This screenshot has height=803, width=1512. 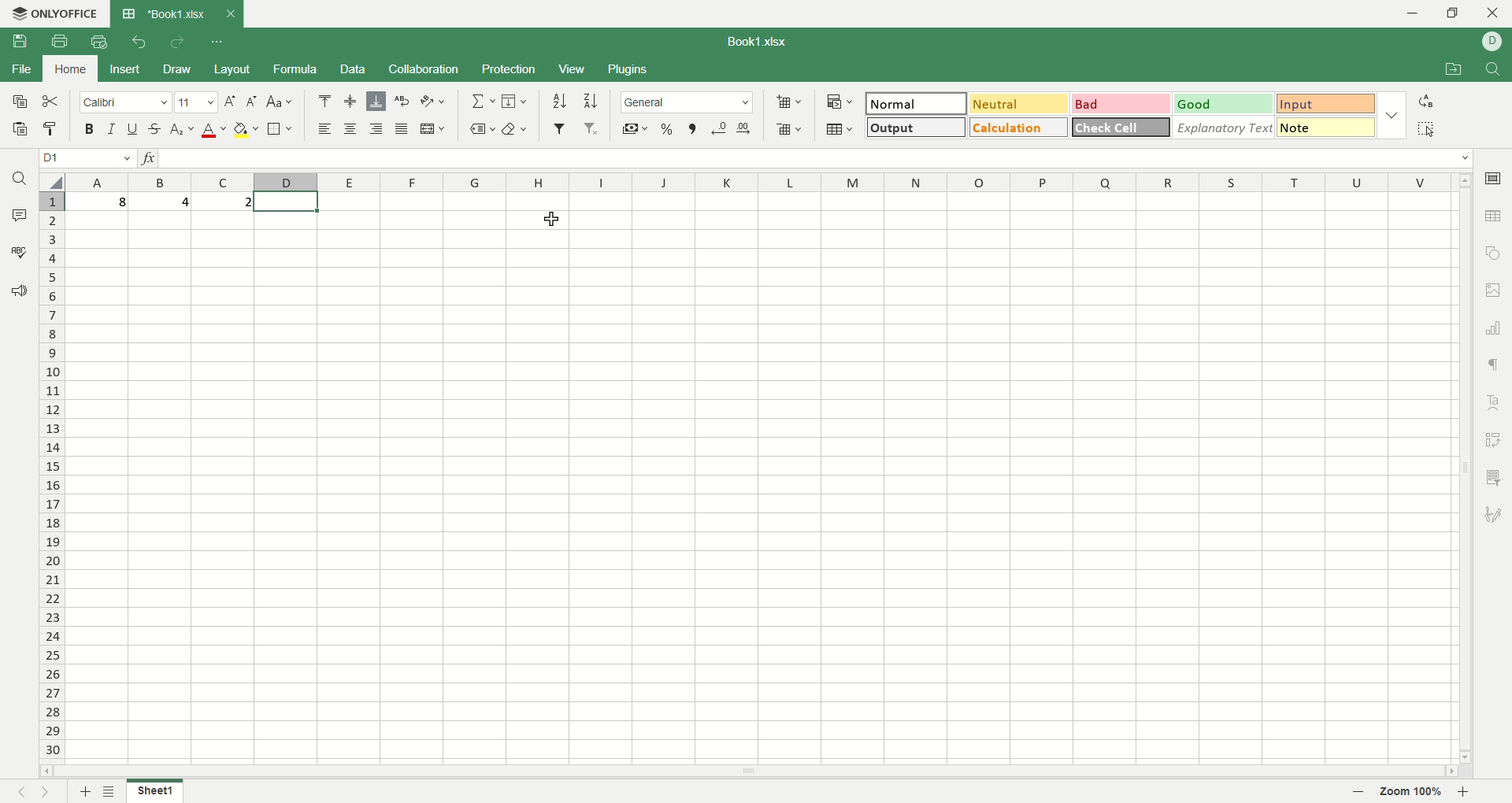 I want to click on minimize, so click(x=1410, y=15).